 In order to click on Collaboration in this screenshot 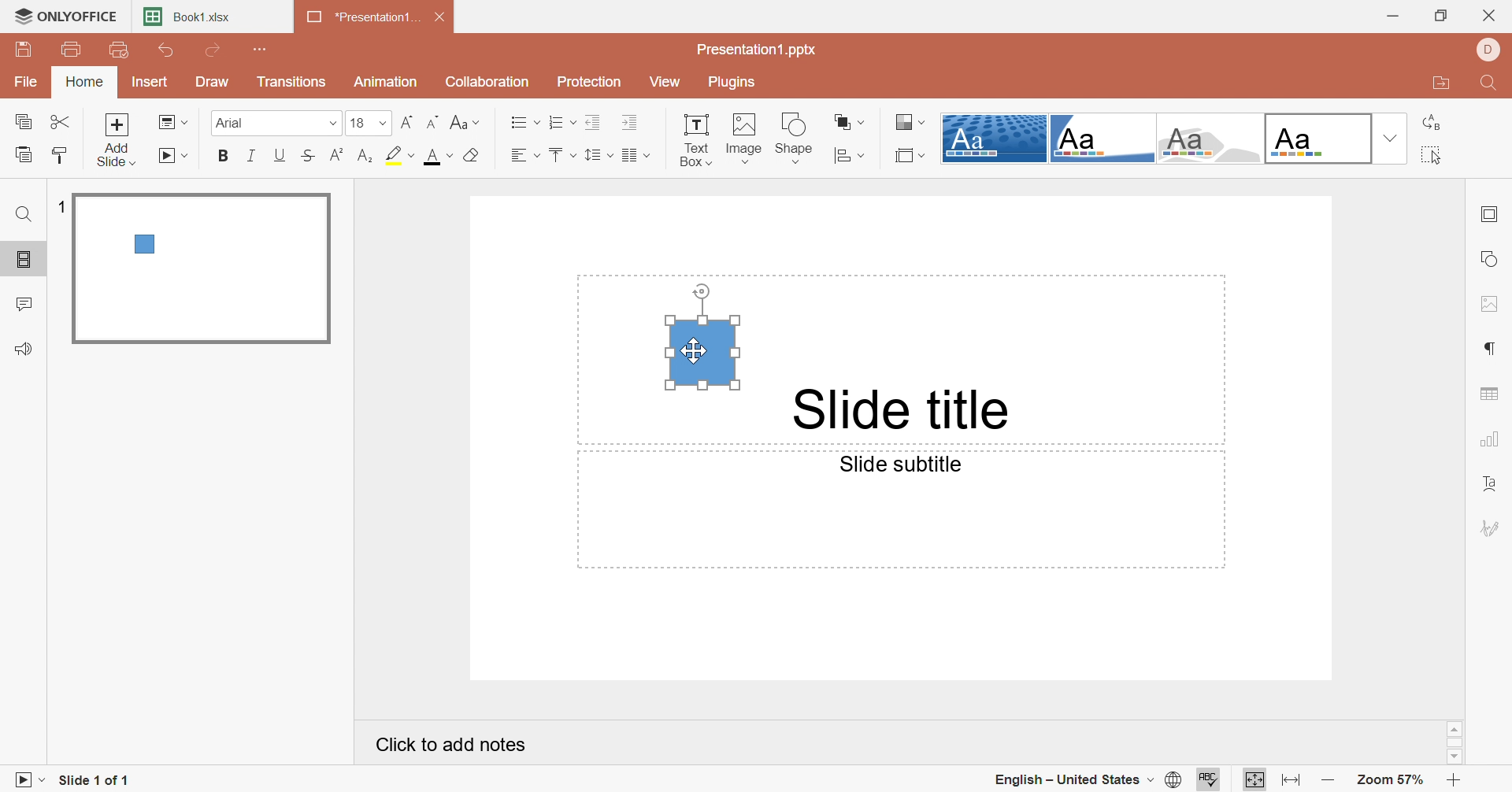, I will do `click(495, 83)`.